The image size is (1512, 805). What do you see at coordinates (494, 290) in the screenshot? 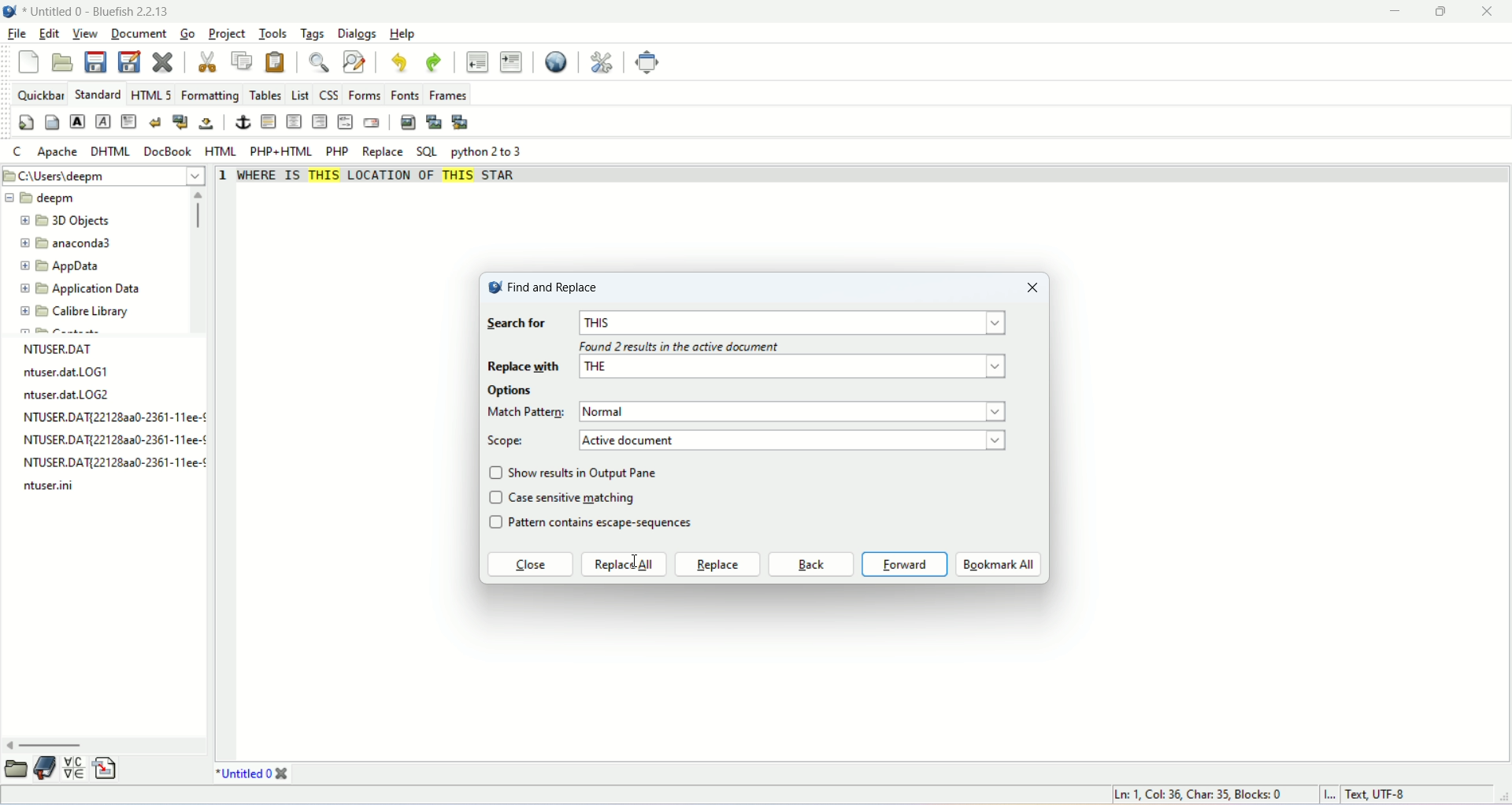
I see `logo` at bounding box center [494, 290].